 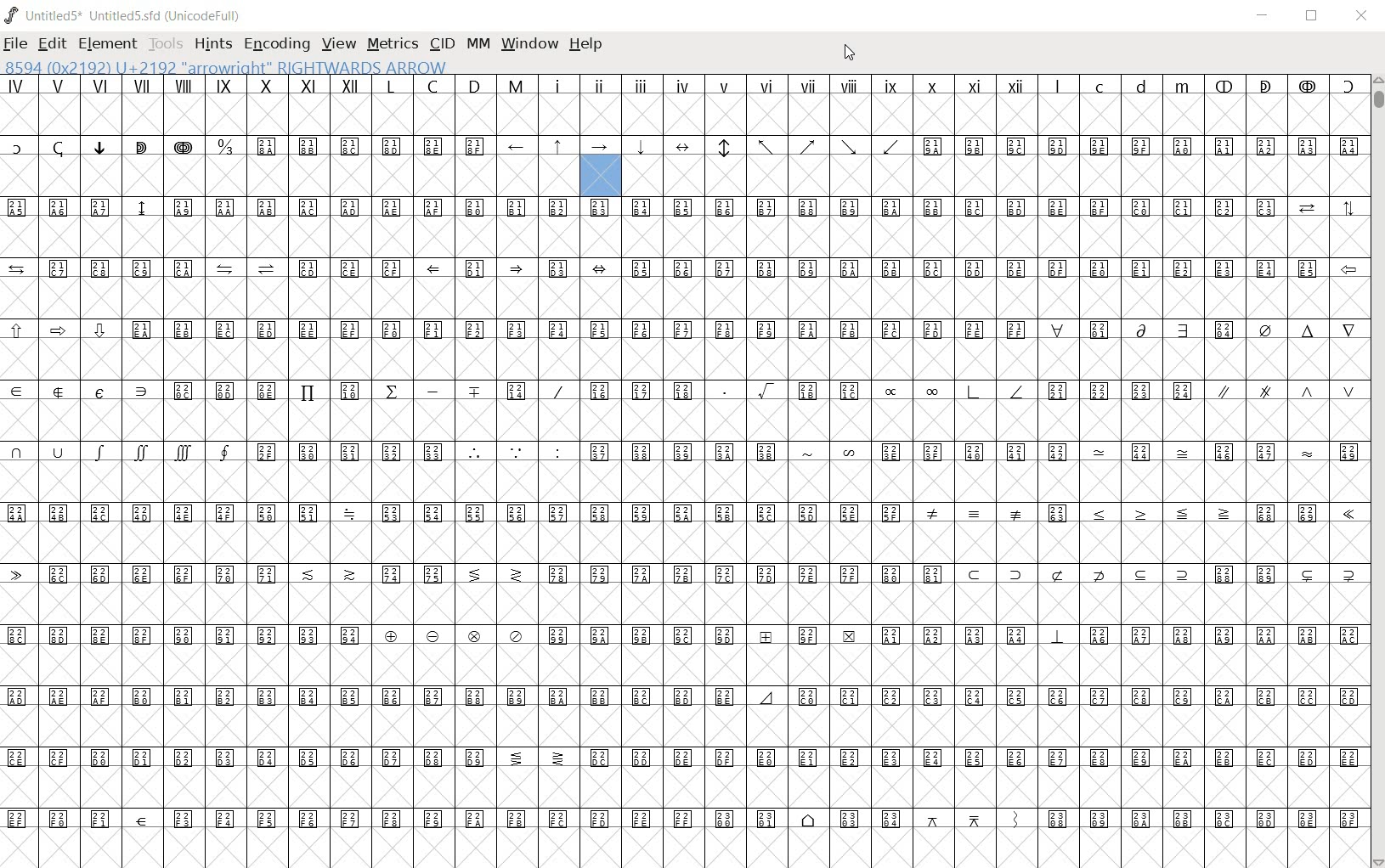 What do you see at coordinates (480, 45) in the screenshot?
I see `MM` at bounding box center [480, 45].